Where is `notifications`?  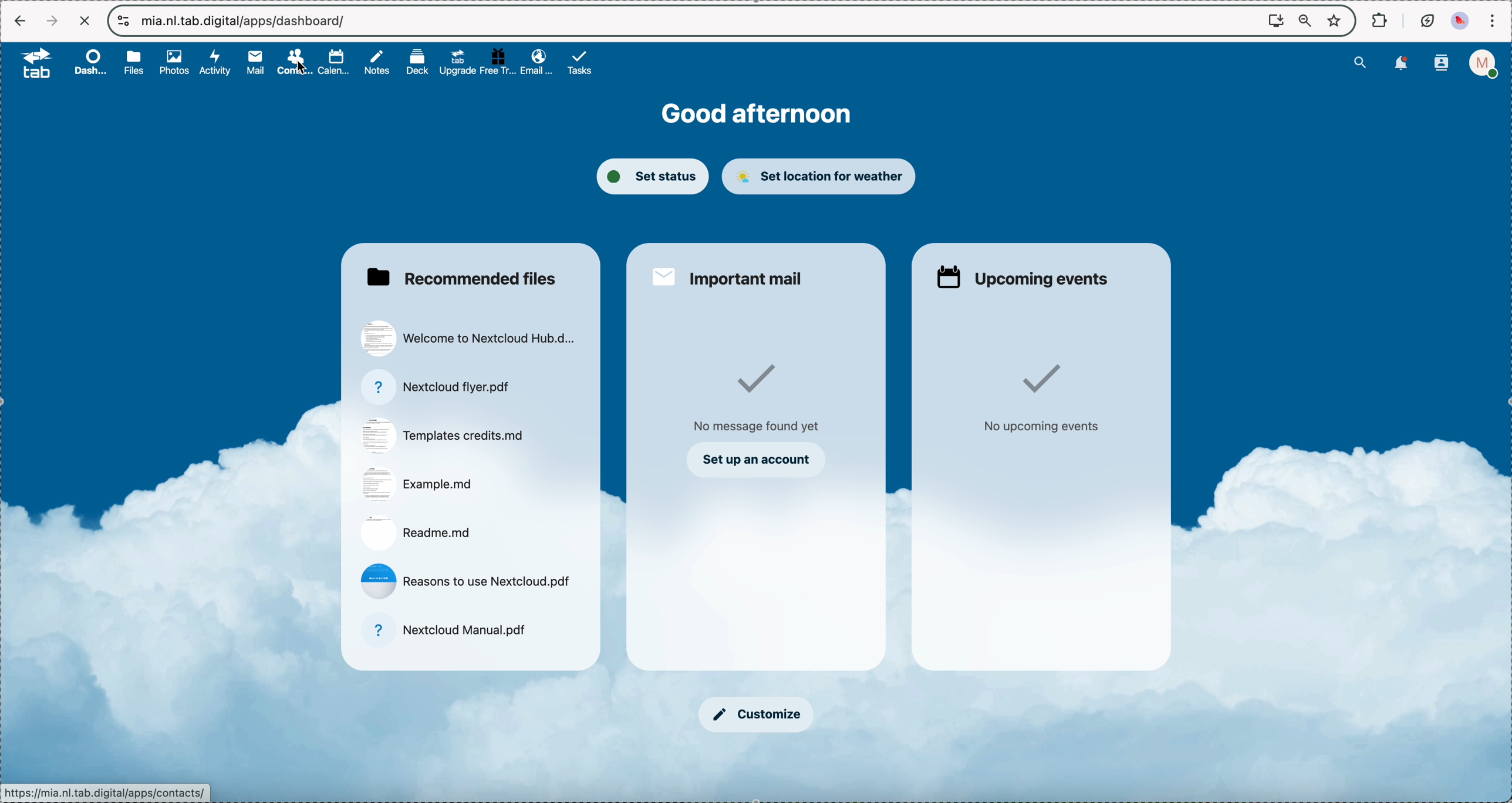 notifications is located at coordinates (1404, 63).